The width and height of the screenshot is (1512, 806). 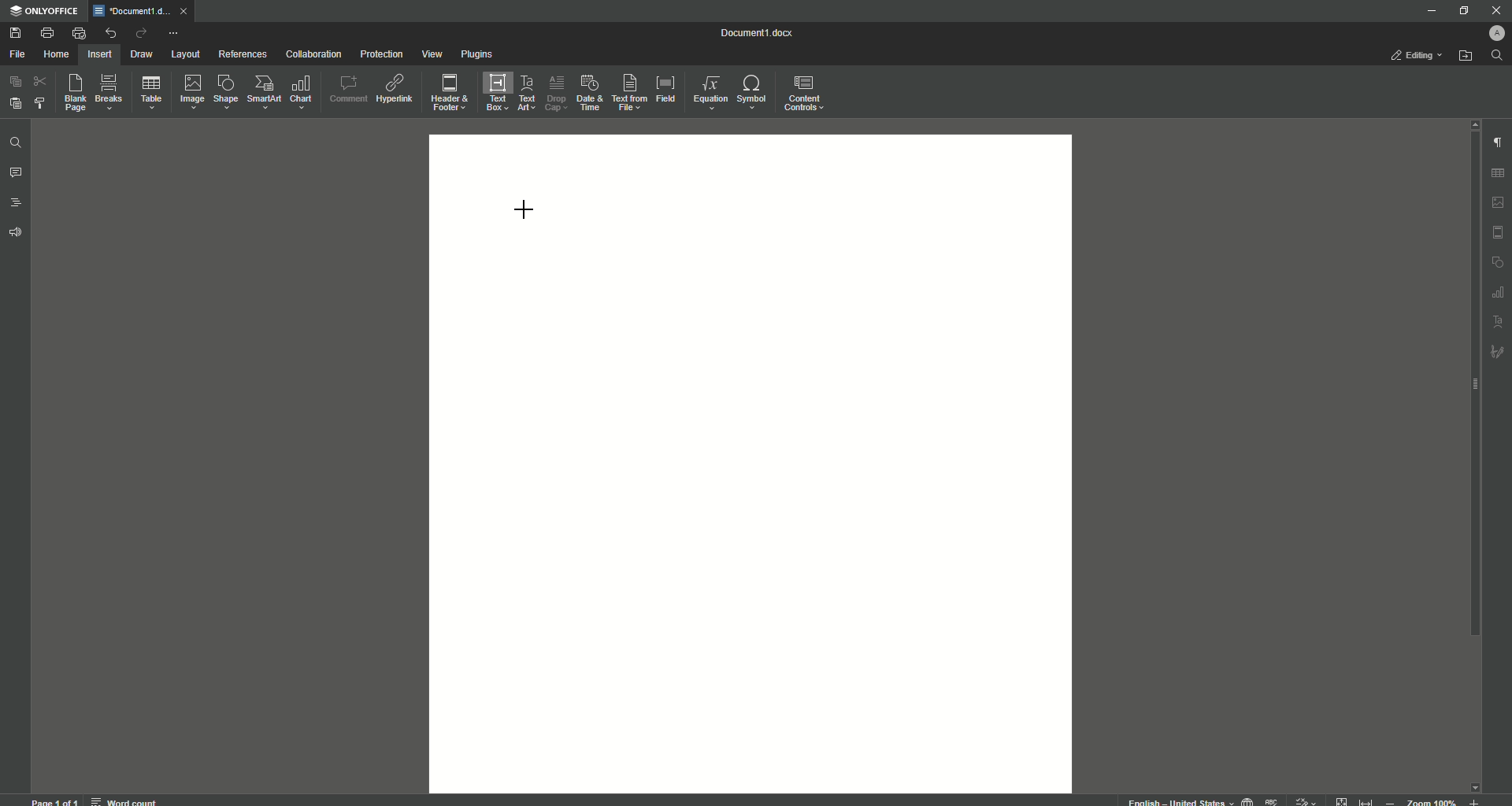 What do you see at coordinates (187, 10) in the screenshot?
I see `close` at bounding box center [187, 10].